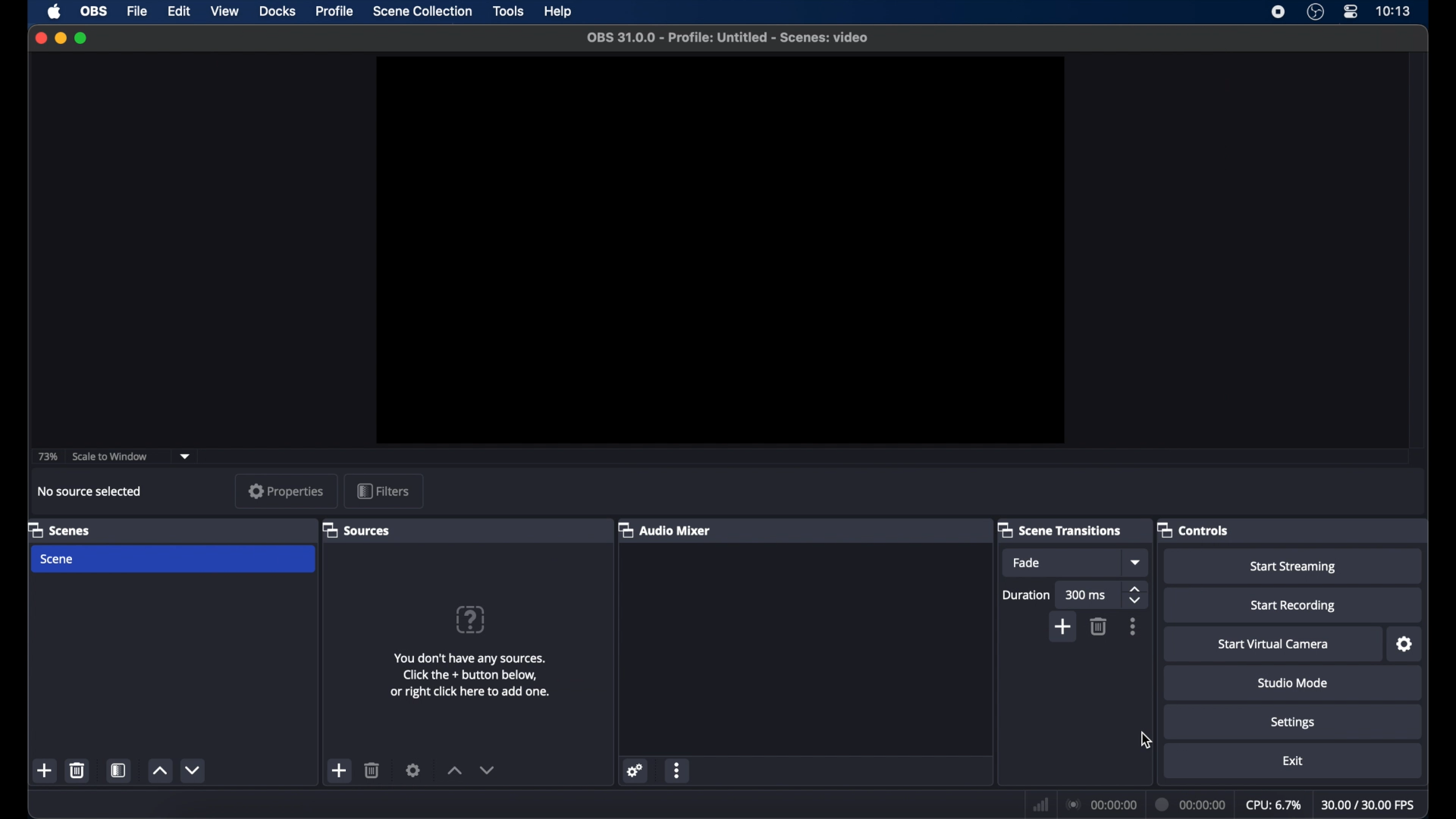 The height and width of the screenshot is (819, 1456). Describe the element at coordinates (488, 770) in the screenshot. I see `decrement` at that location.